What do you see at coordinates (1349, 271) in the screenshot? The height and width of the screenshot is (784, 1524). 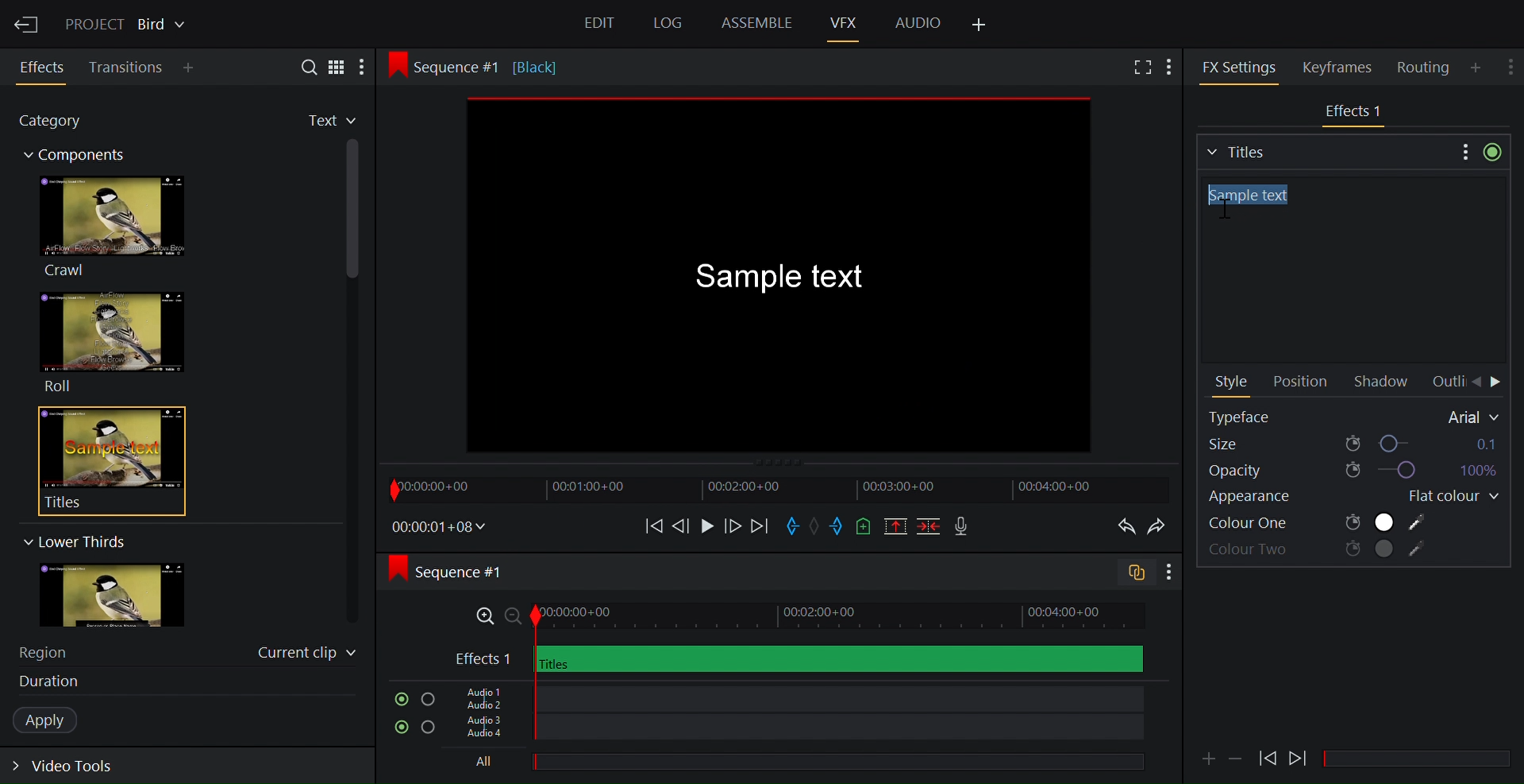 I see `Title name` at bounding box center [1349, 271].